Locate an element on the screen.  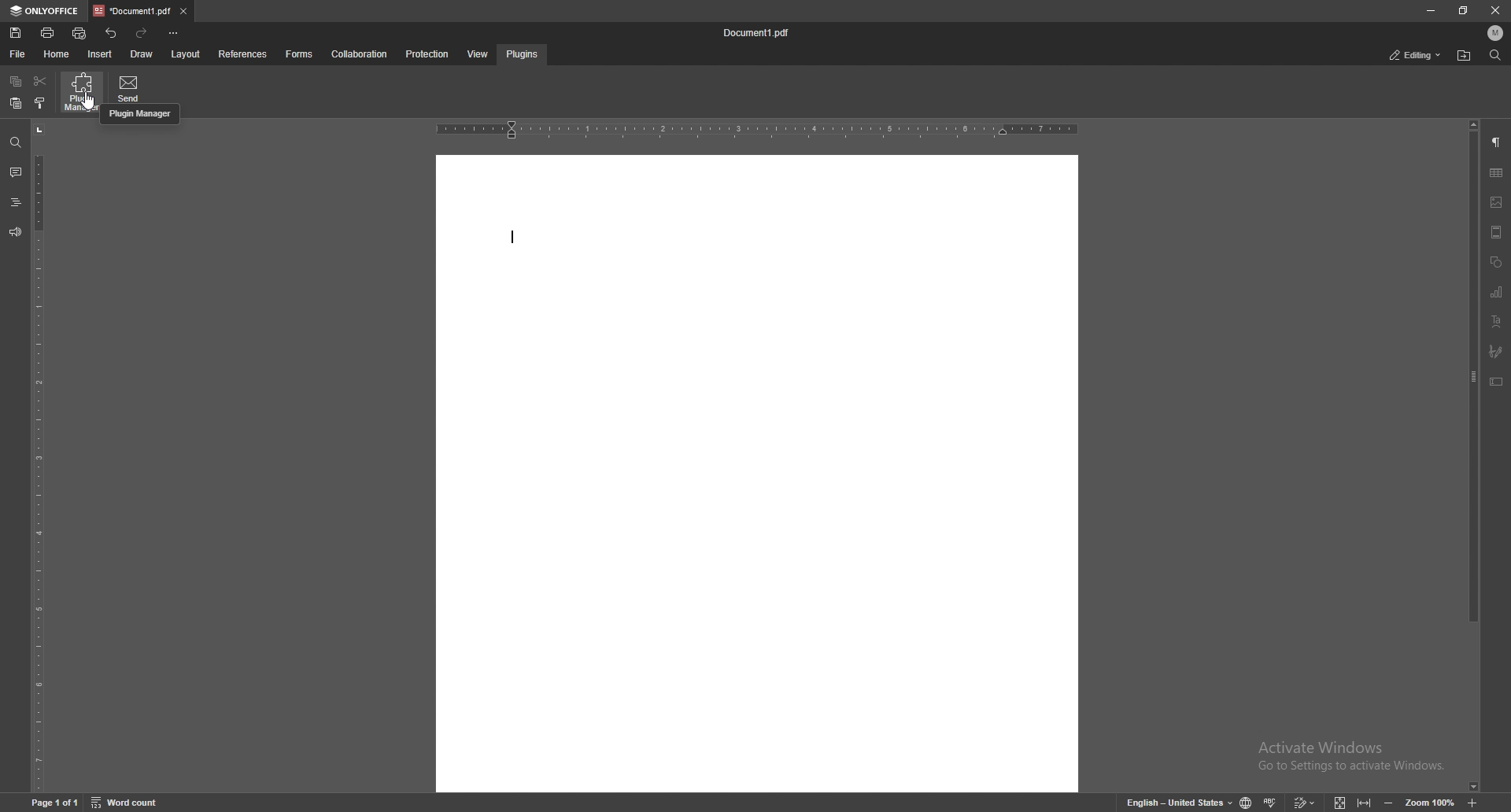
comment is located at coordinates (15, 172).